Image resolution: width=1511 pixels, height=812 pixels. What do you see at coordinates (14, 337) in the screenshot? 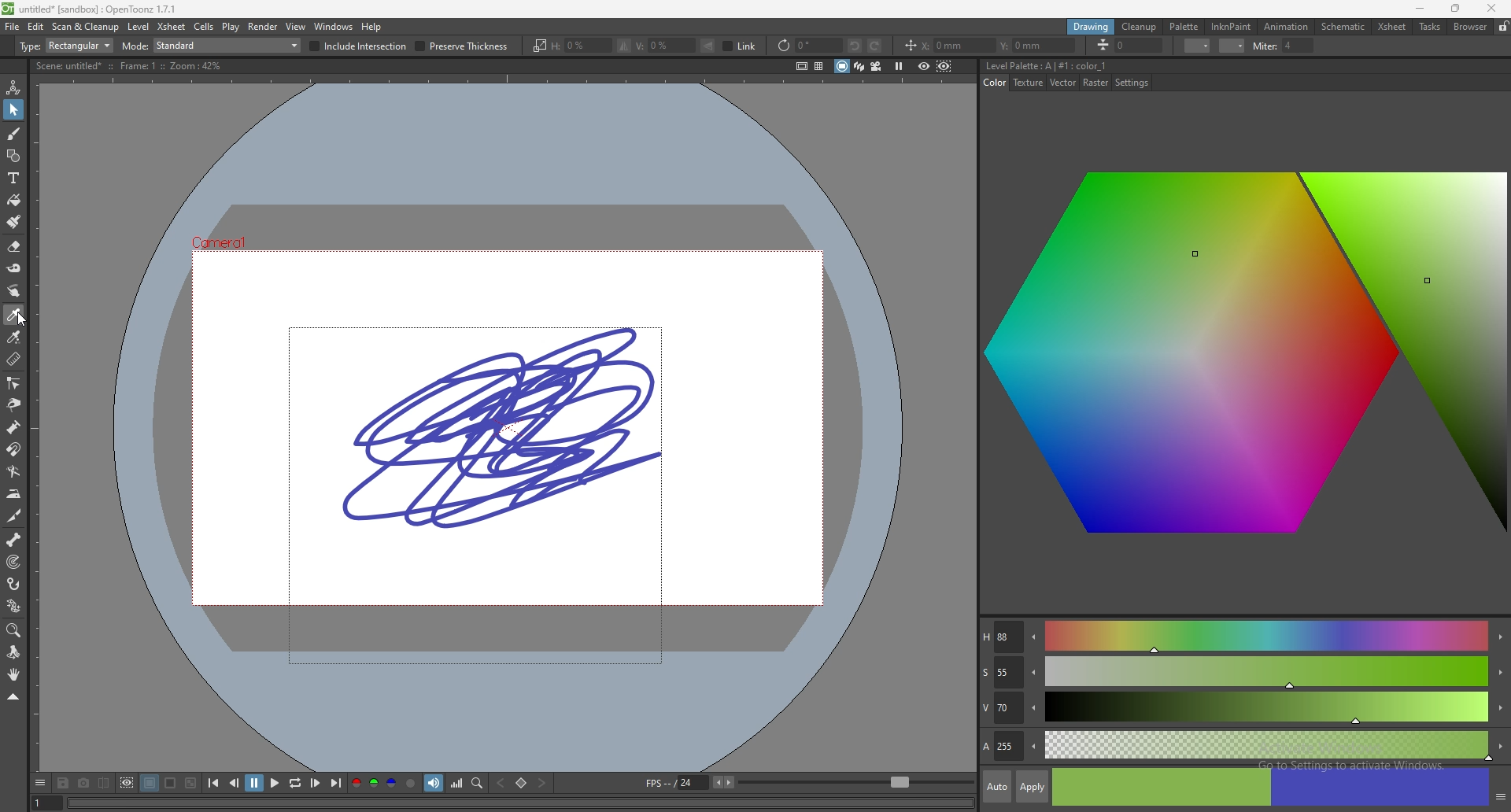
I see `rgb picker tool` at bounding box center [14, 337].